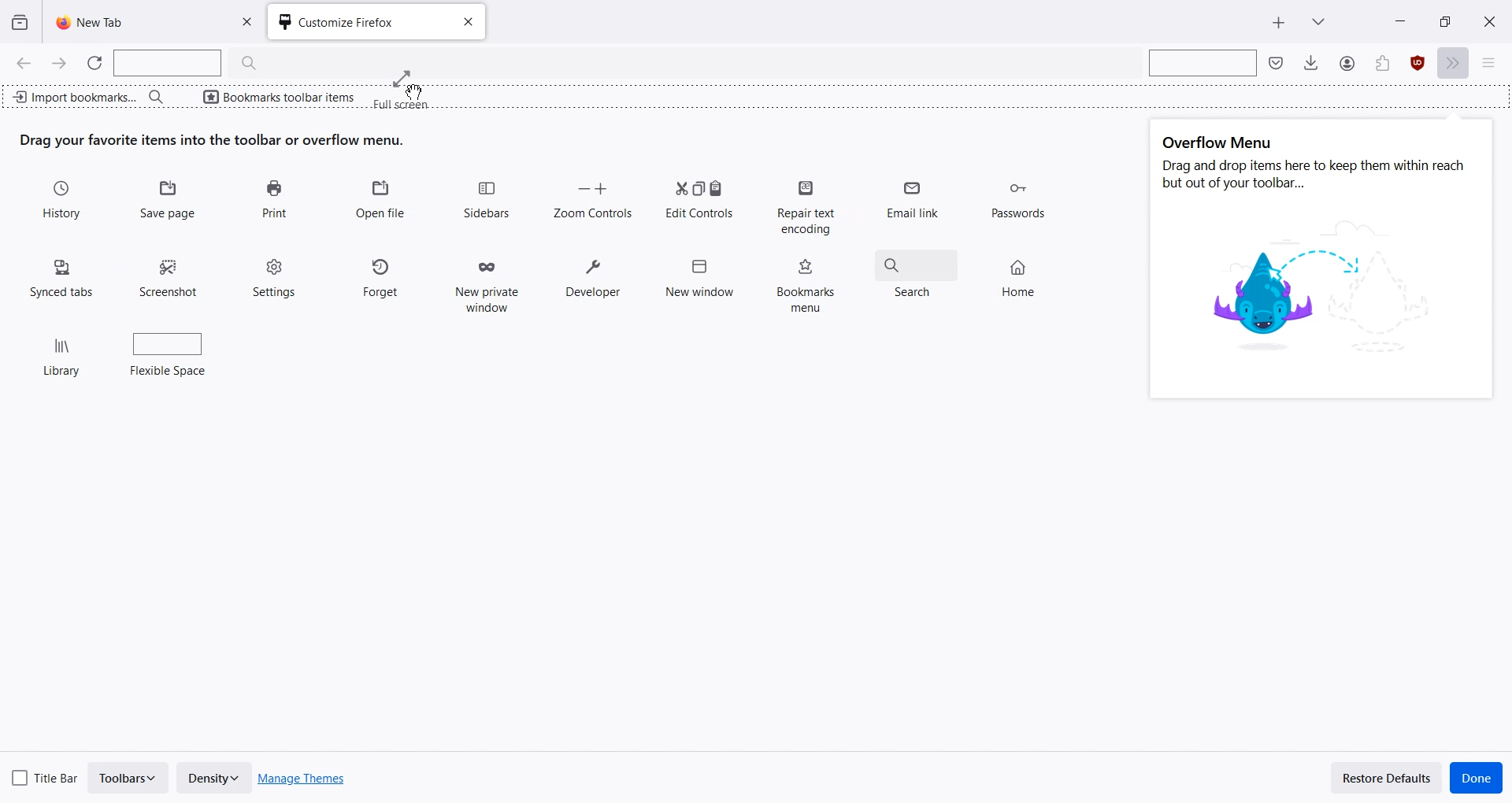 The height and width of the screenshot is (803, 1512). What do you see at coordinates (20, 23) in the screenshot?
I see `View recent browsing` at bounding box center [20, 23].